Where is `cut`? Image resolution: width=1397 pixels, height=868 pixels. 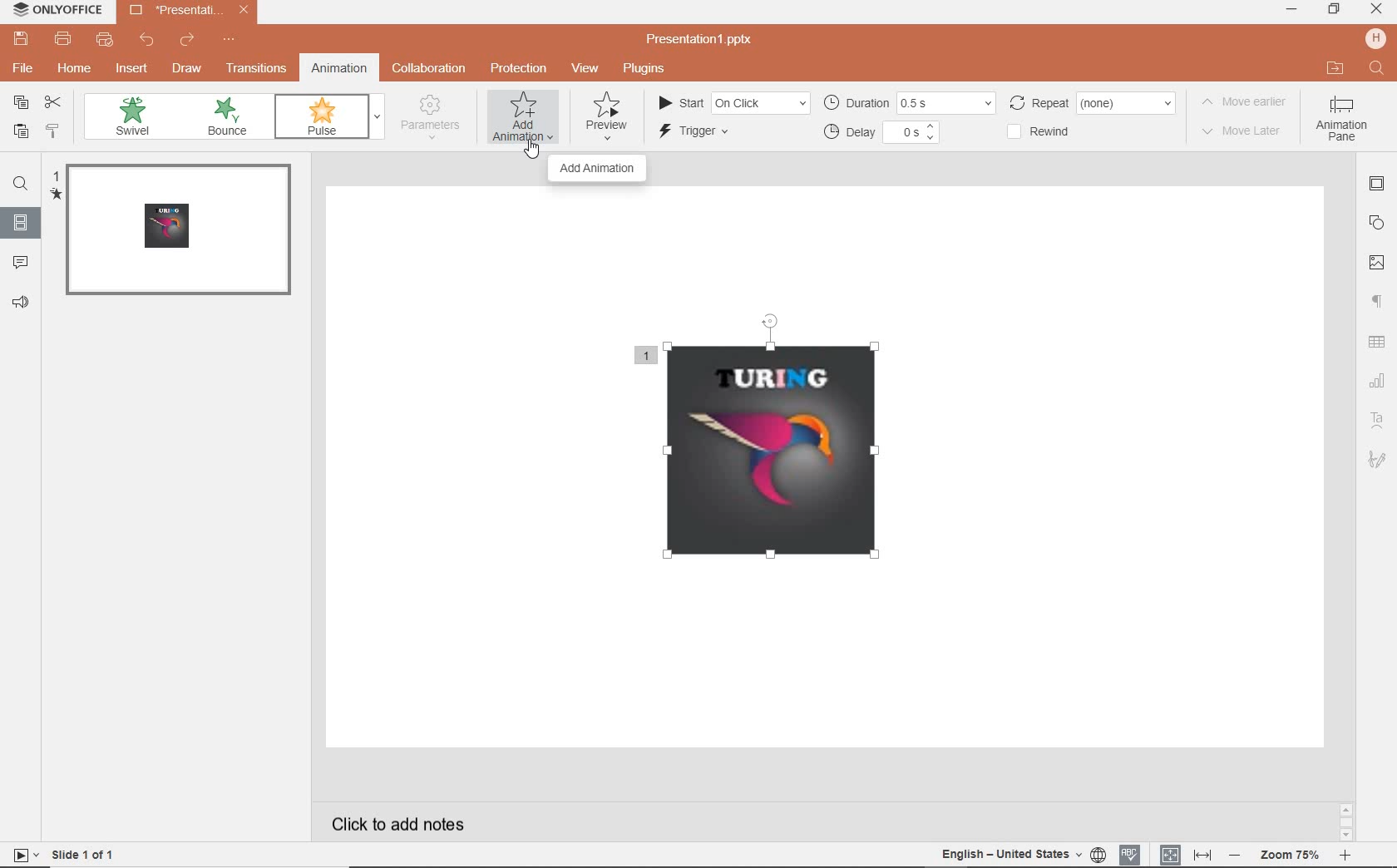 cut is located at coordinates (53, 102).